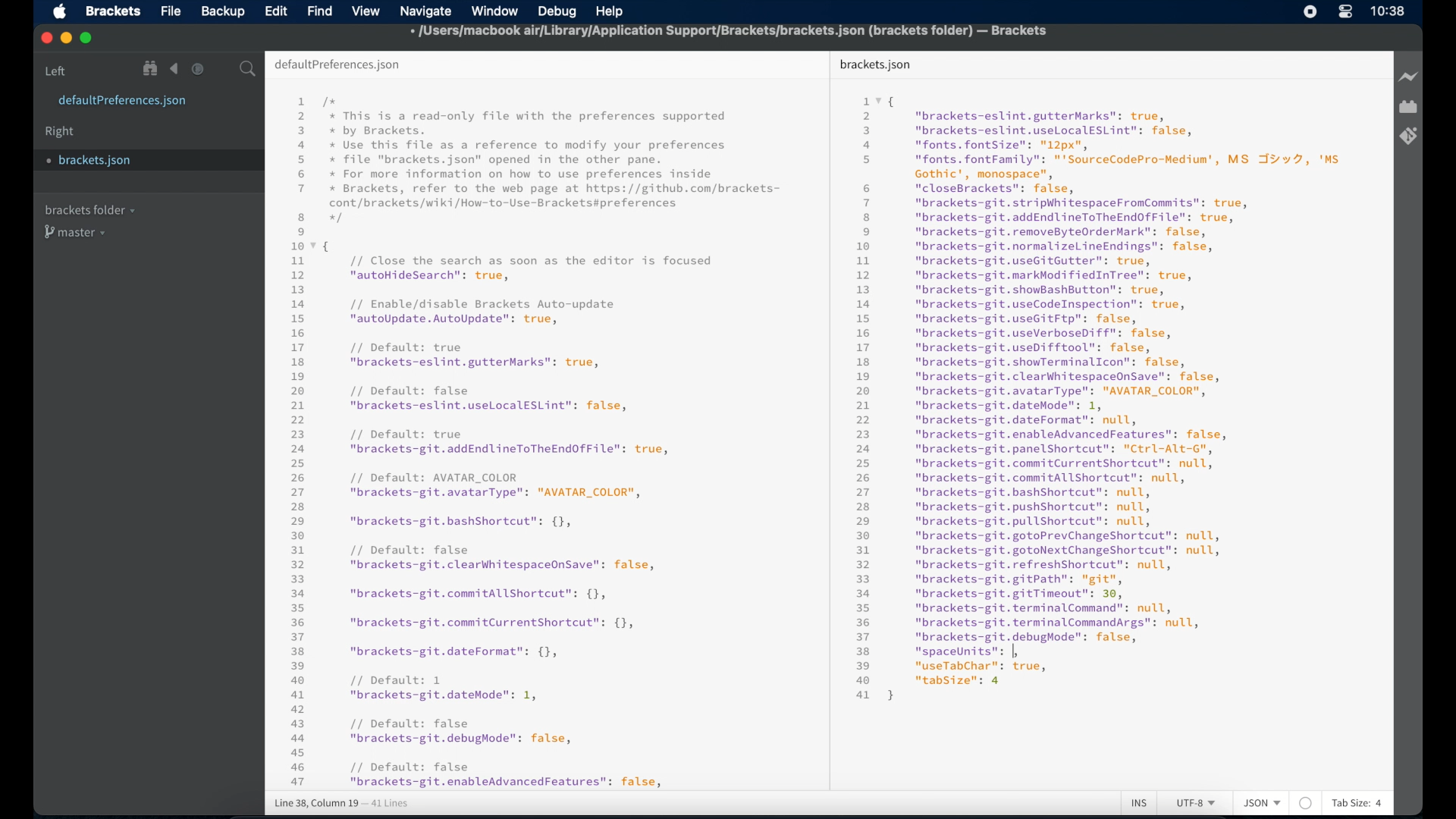 The height and width of the screenshot is (819, 1456). What do you see at coordinates (122, 101) in the screenshot?
I see `defaultpreferences.json` at bounding box center [122, 101].